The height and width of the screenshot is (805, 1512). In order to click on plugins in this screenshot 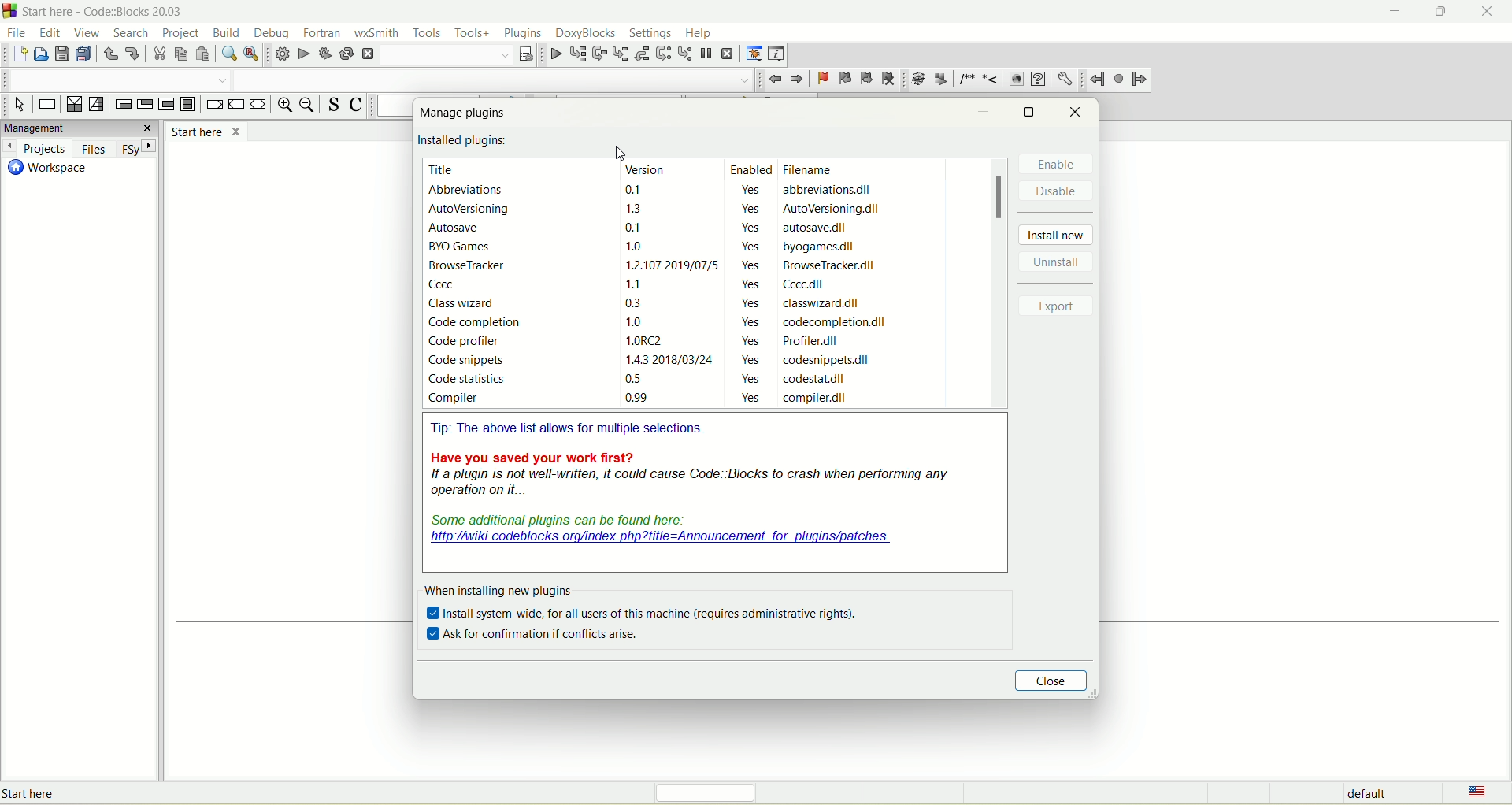, I will do `click(525, 32)`.